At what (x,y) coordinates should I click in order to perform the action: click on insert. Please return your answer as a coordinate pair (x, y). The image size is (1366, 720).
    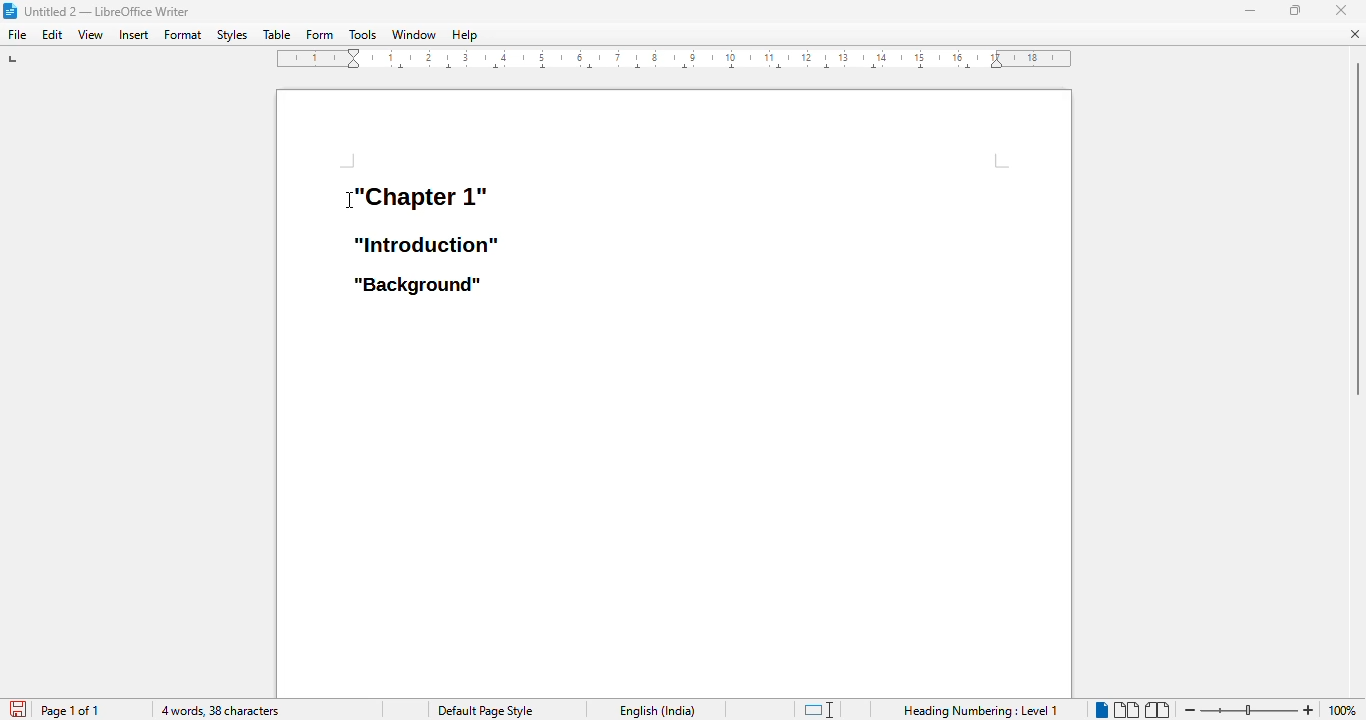
    Looking at the image, I should click on (133, 34).